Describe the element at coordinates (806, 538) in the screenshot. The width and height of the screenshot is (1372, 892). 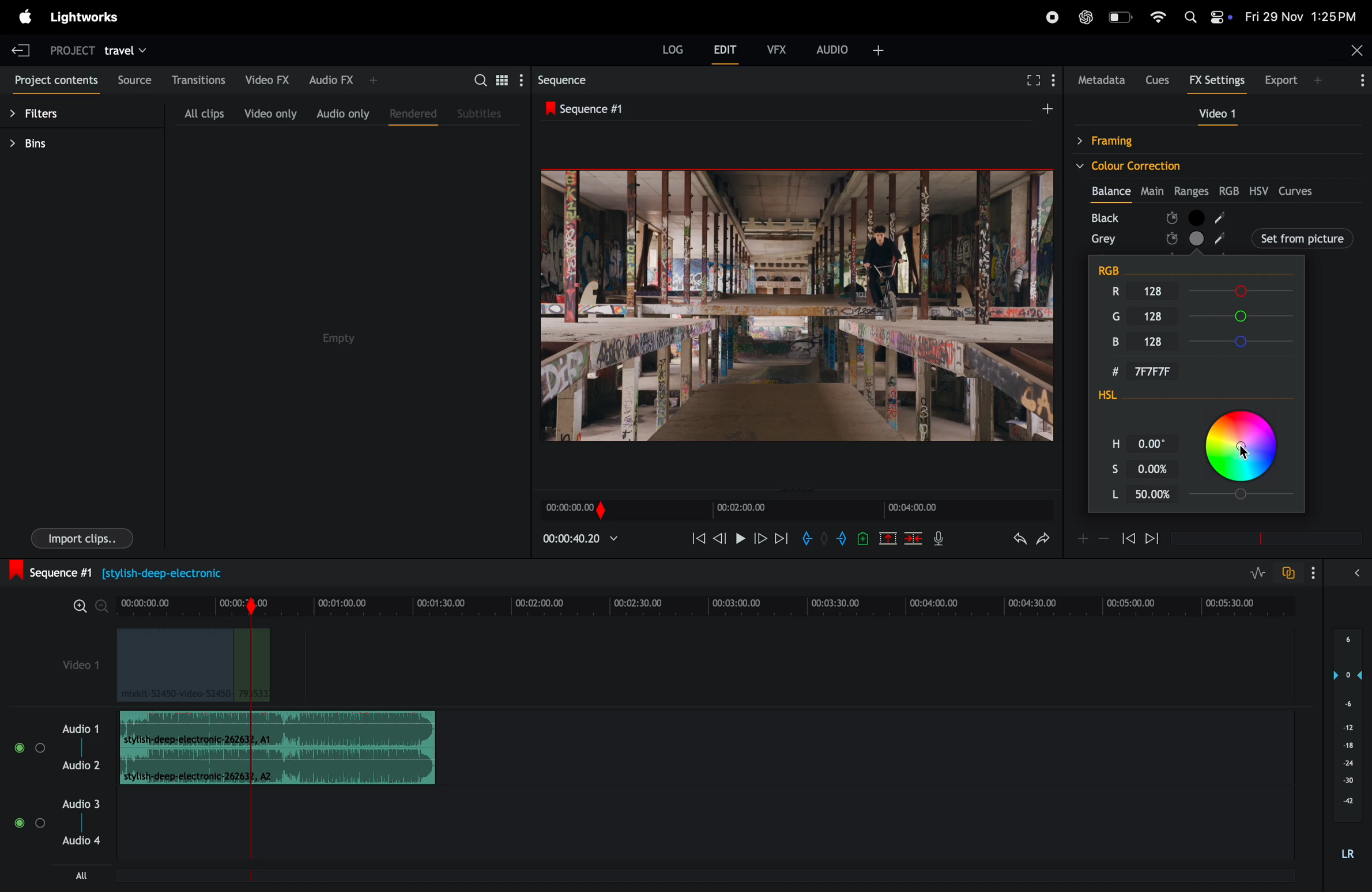
I see `add in mark` at that location.